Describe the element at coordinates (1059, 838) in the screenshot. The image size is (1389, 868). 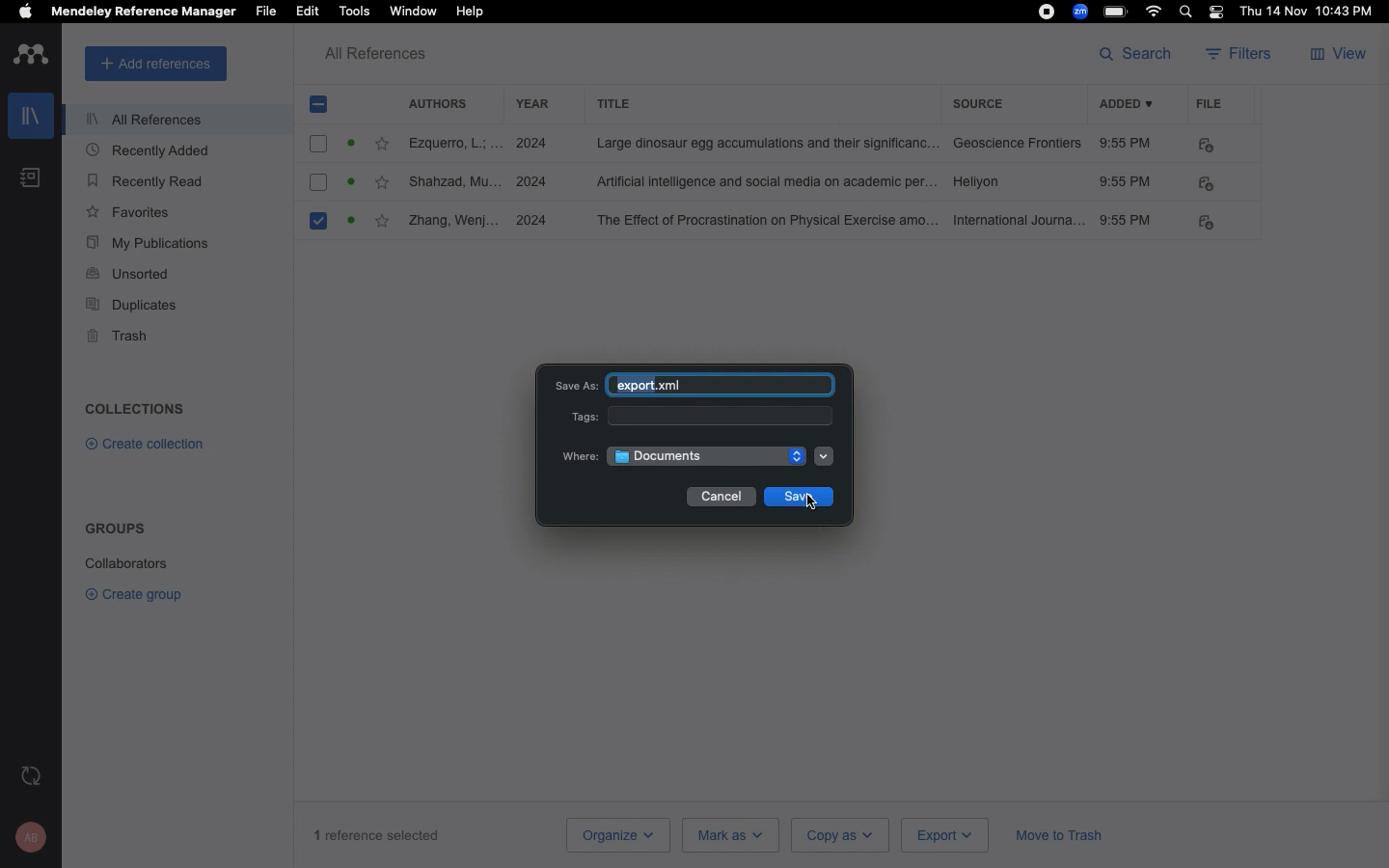
I see `Move to trash` at that location.